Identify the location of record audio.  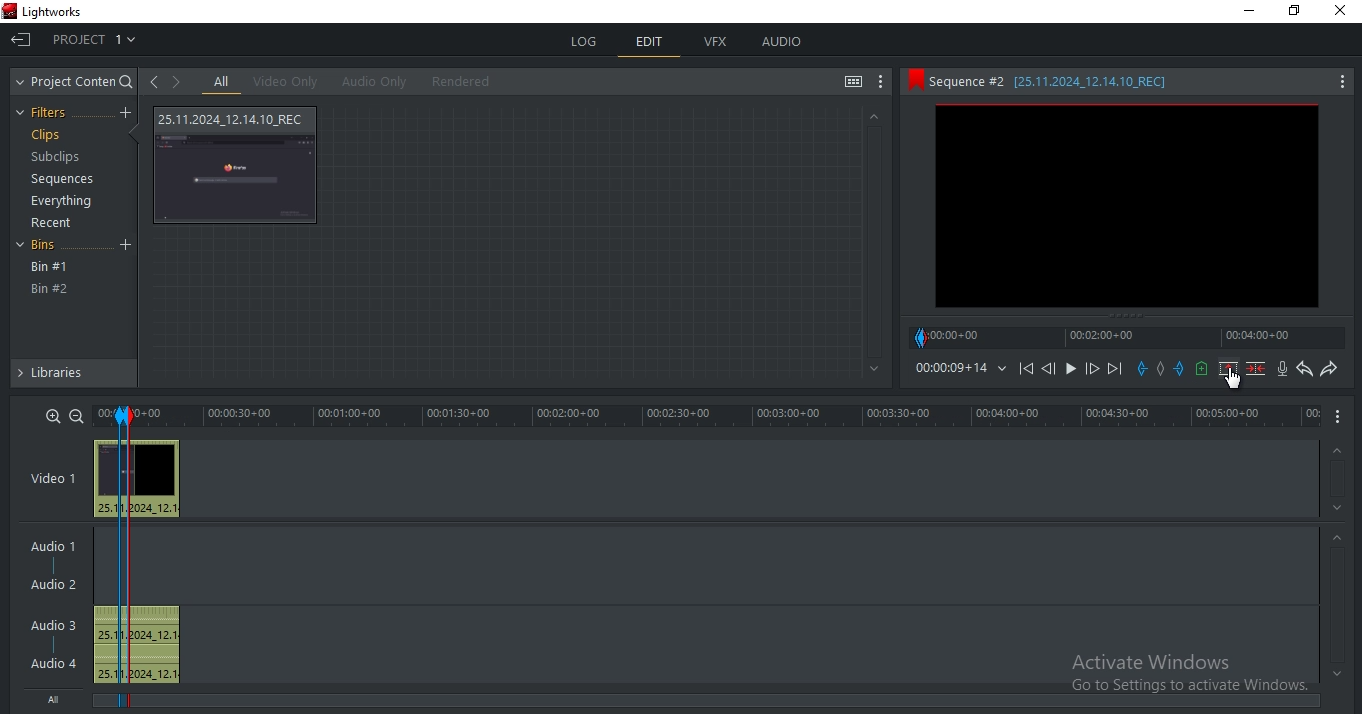
(1282, 369).